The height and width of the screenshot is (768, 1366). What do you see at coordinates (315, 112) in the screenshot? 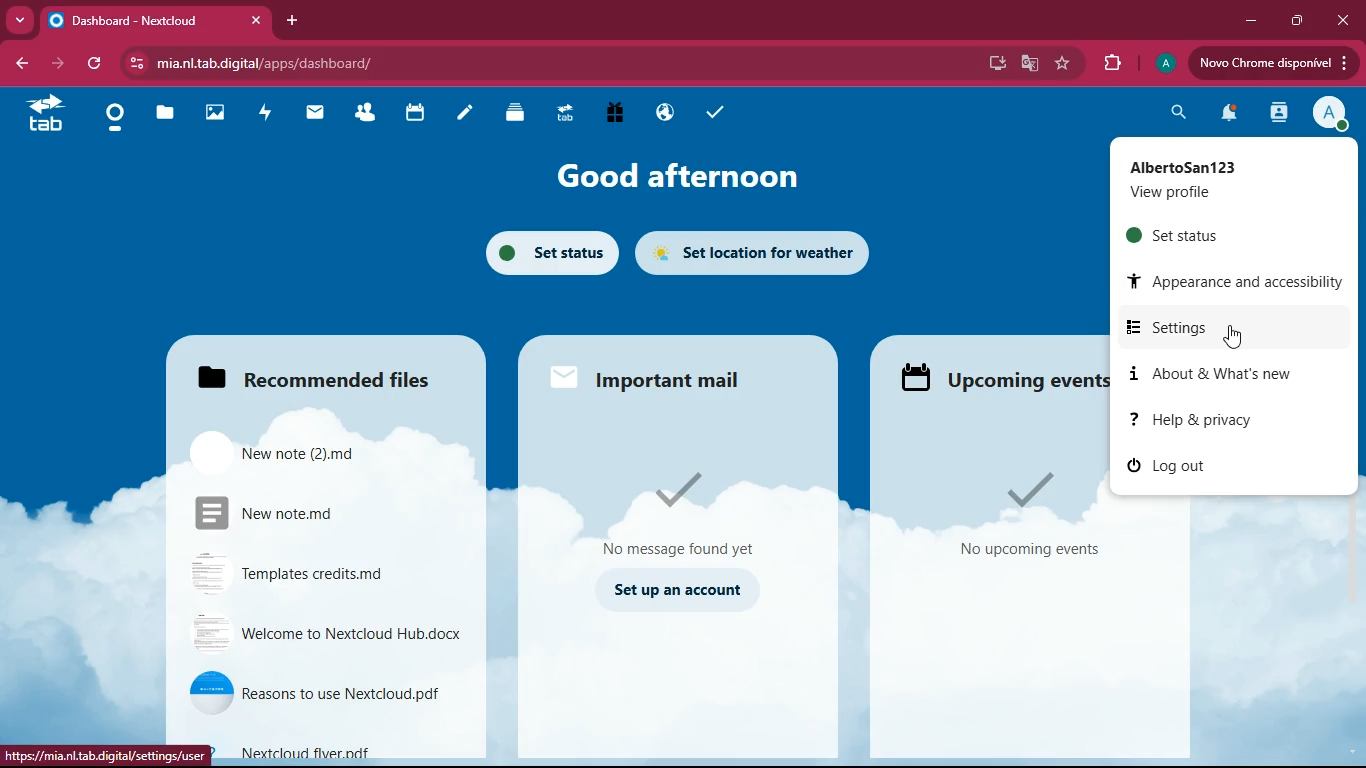
I see `mail` at bounding box center [315, 112].